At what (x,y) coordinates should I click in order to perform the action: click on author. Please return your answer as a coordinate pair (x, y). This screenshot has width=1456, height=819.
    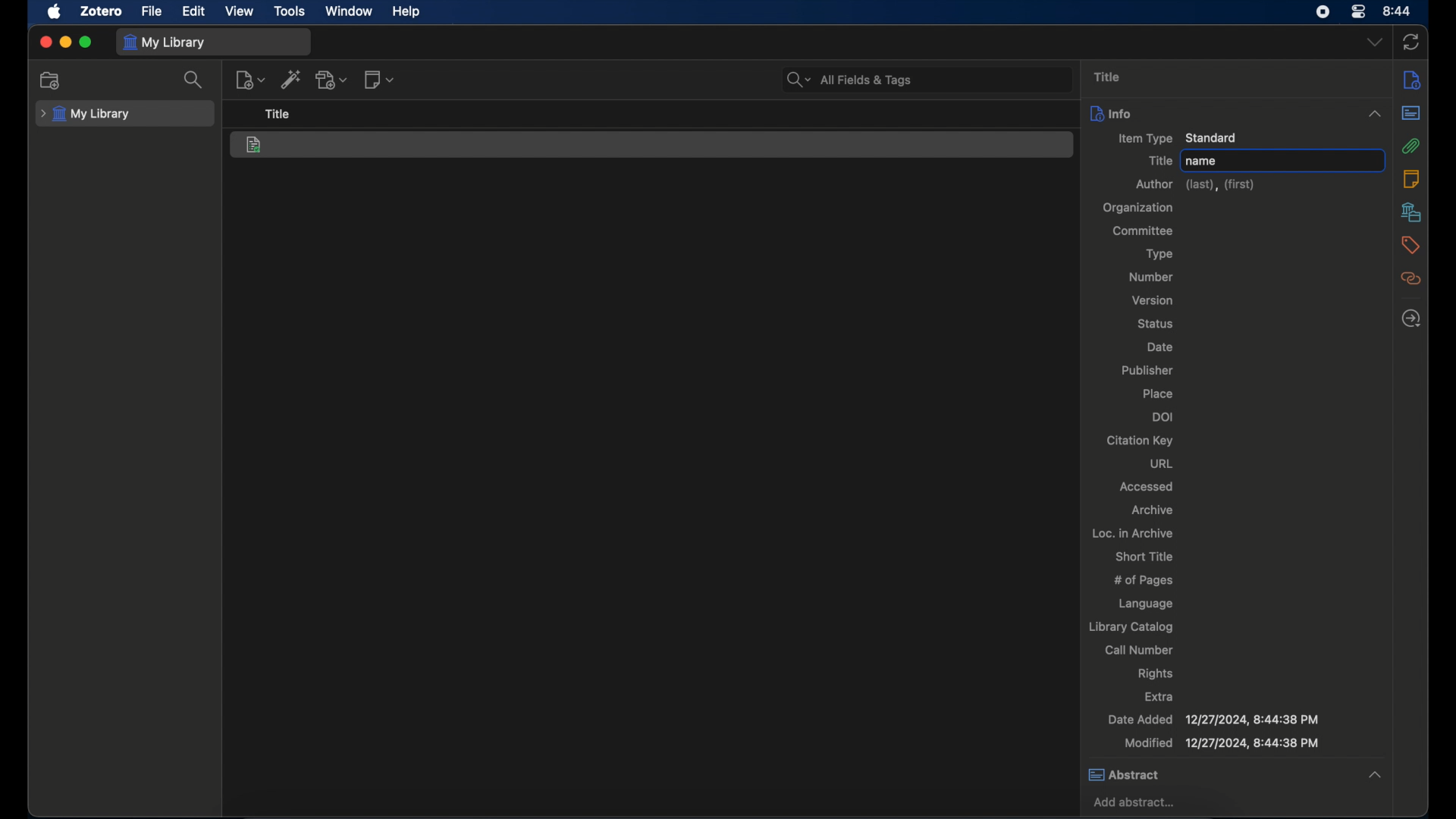
    Looking at the image, I should click on (1193, 185).